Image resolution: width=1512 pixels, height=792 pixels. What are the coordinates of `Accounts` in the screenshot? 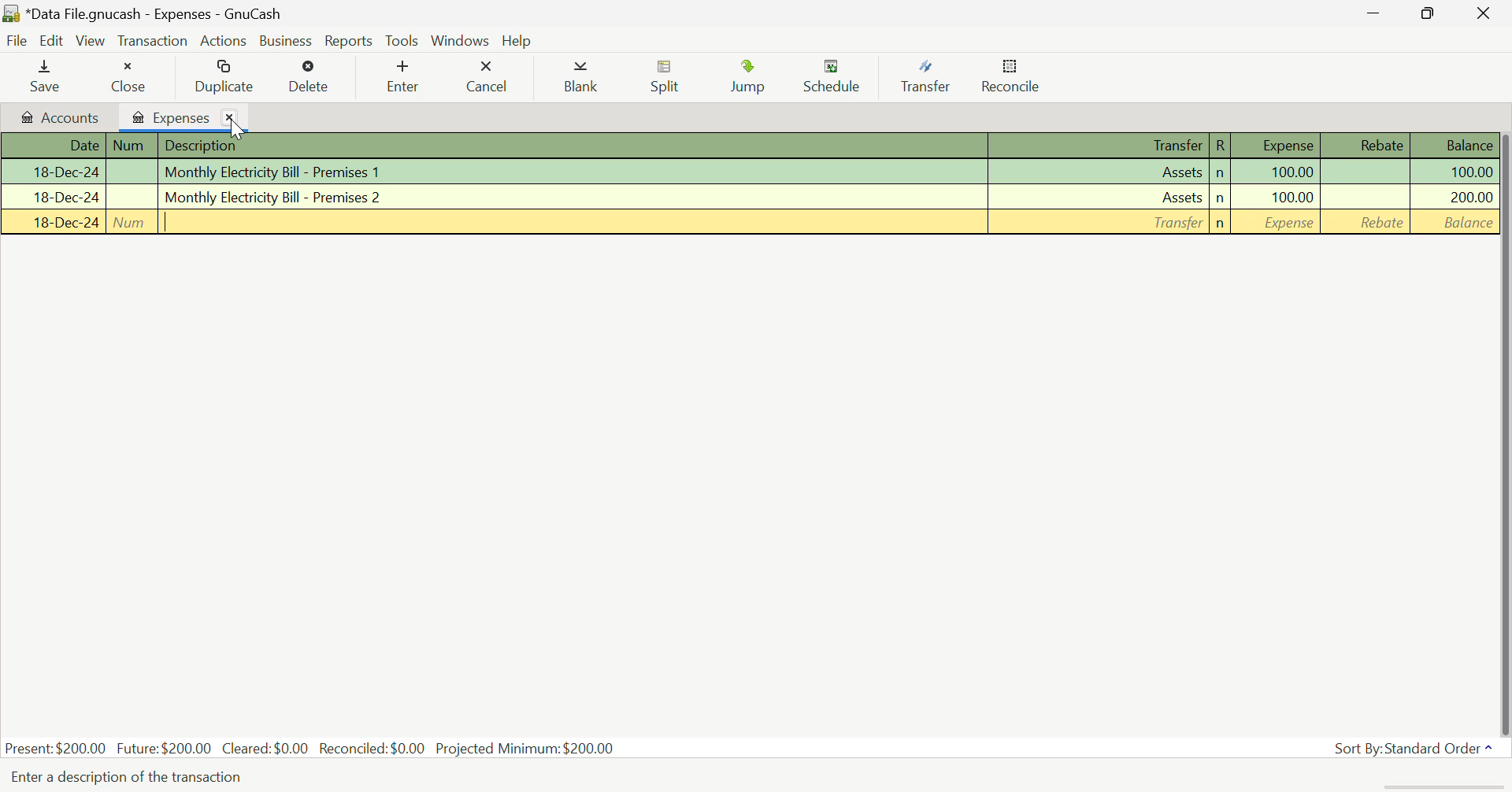 It's located at (57, 117).